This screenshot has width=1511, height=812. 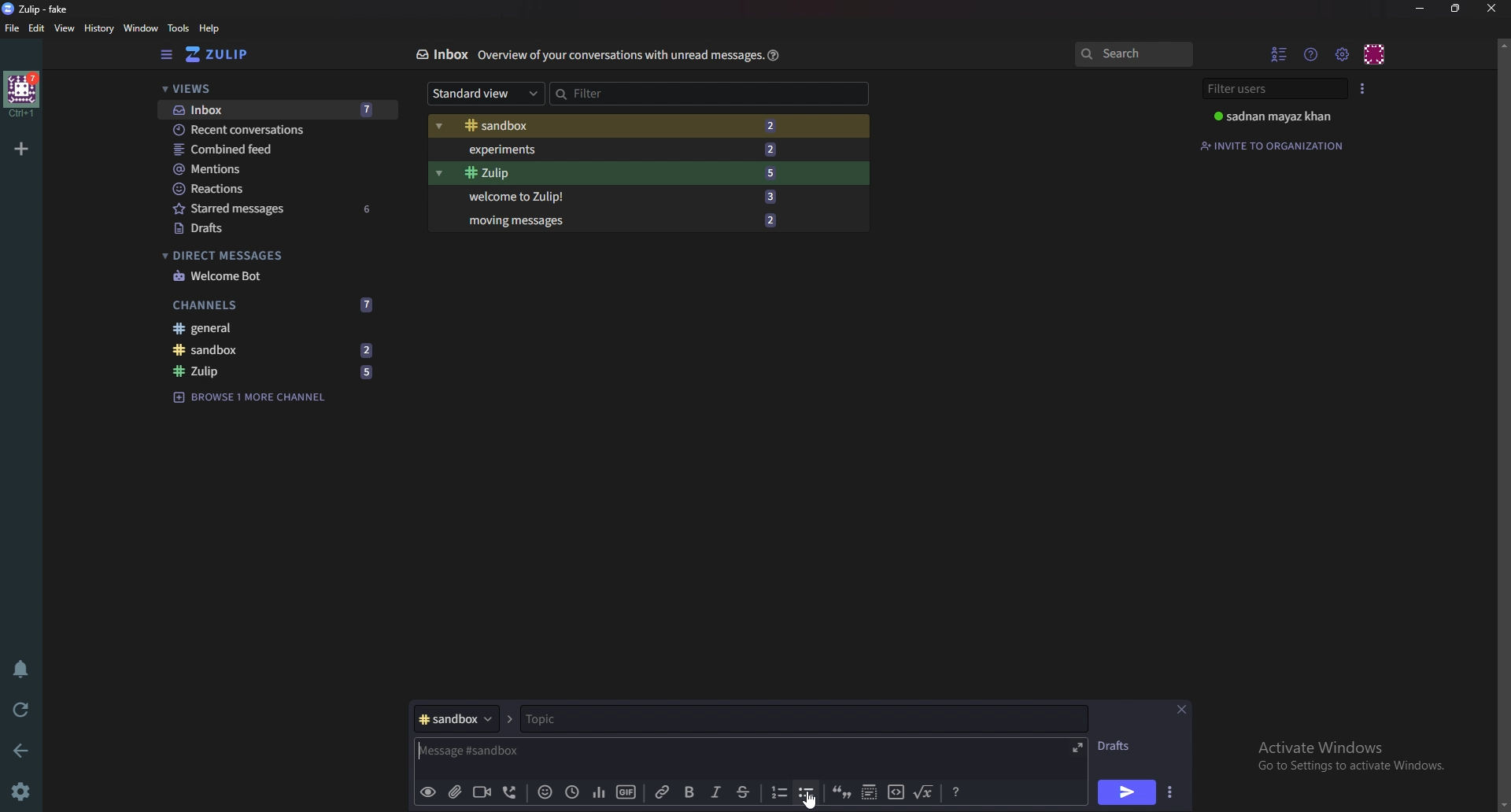 What do you see at coordinates (665, 792) in the screenshot?
I see `link` at bounding box center [665, 792].